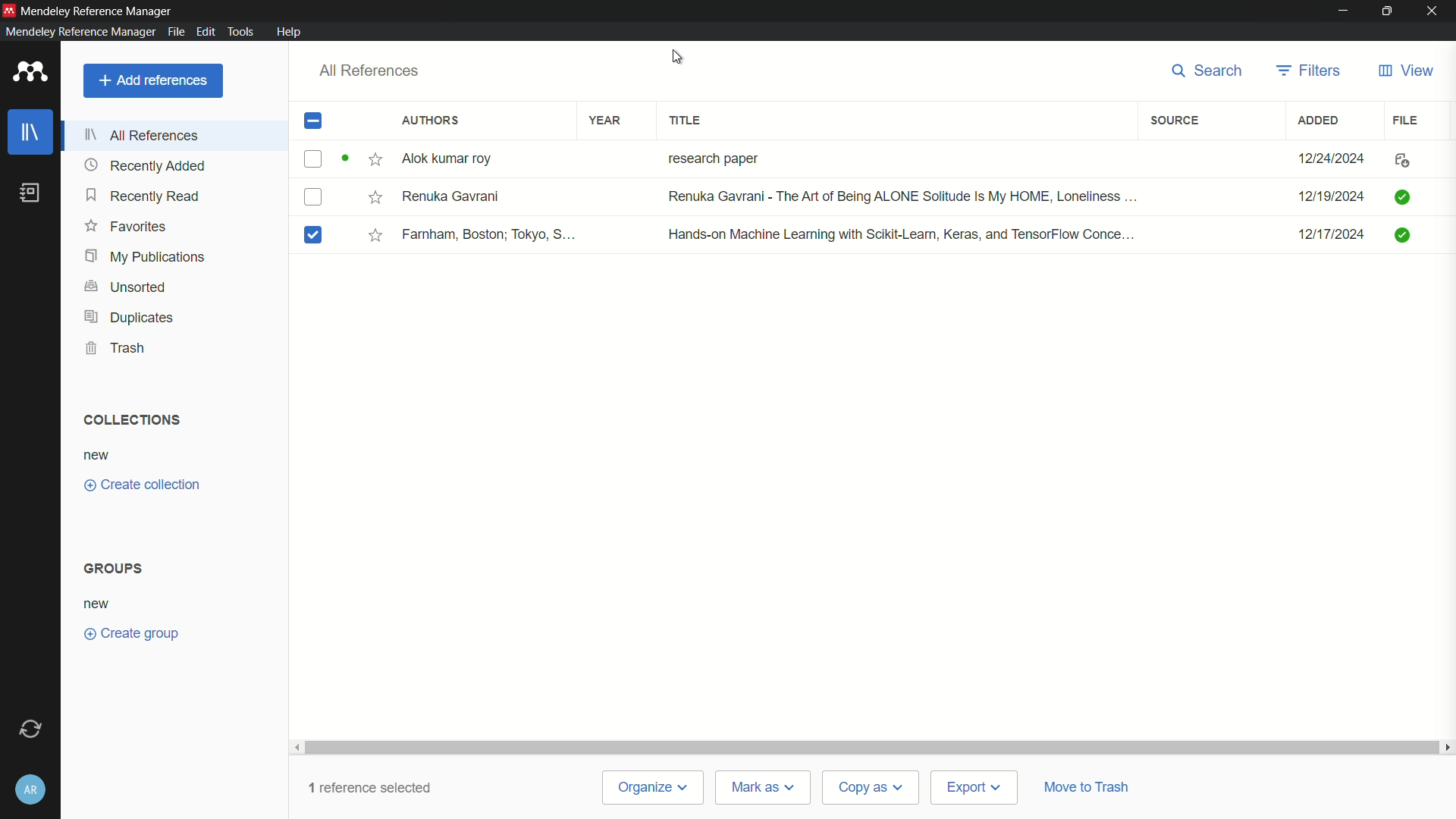 This screenshot has height=819, width=1456. Describe the element at coordinates (1330, 155) in the screenshot. I see `12/24/2024` at that location.